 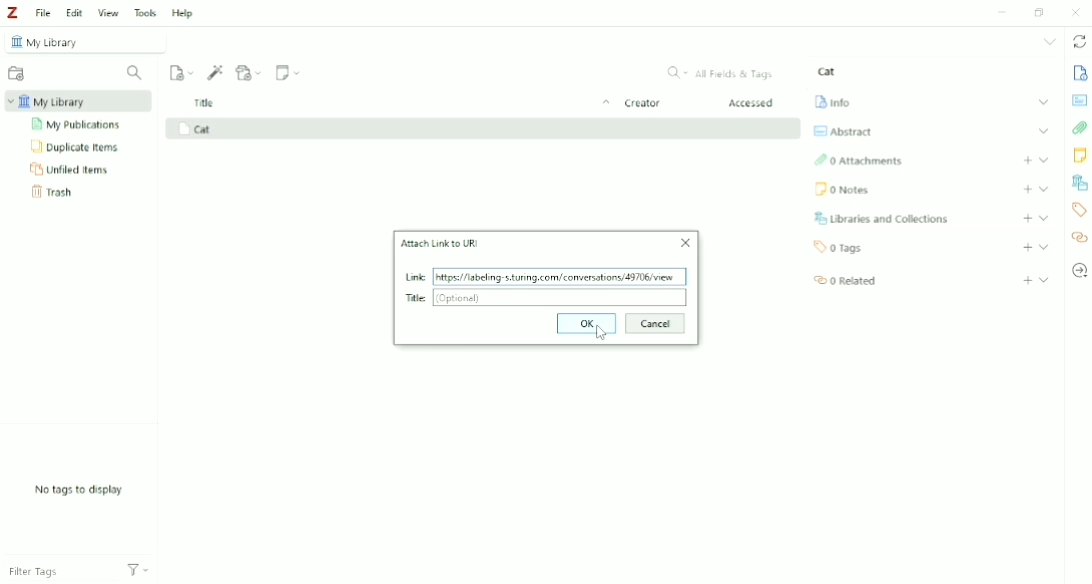 What do you see at coordinates (145, 12) in the screenshot?
I see `Tools` at bounding box center [145, 12].